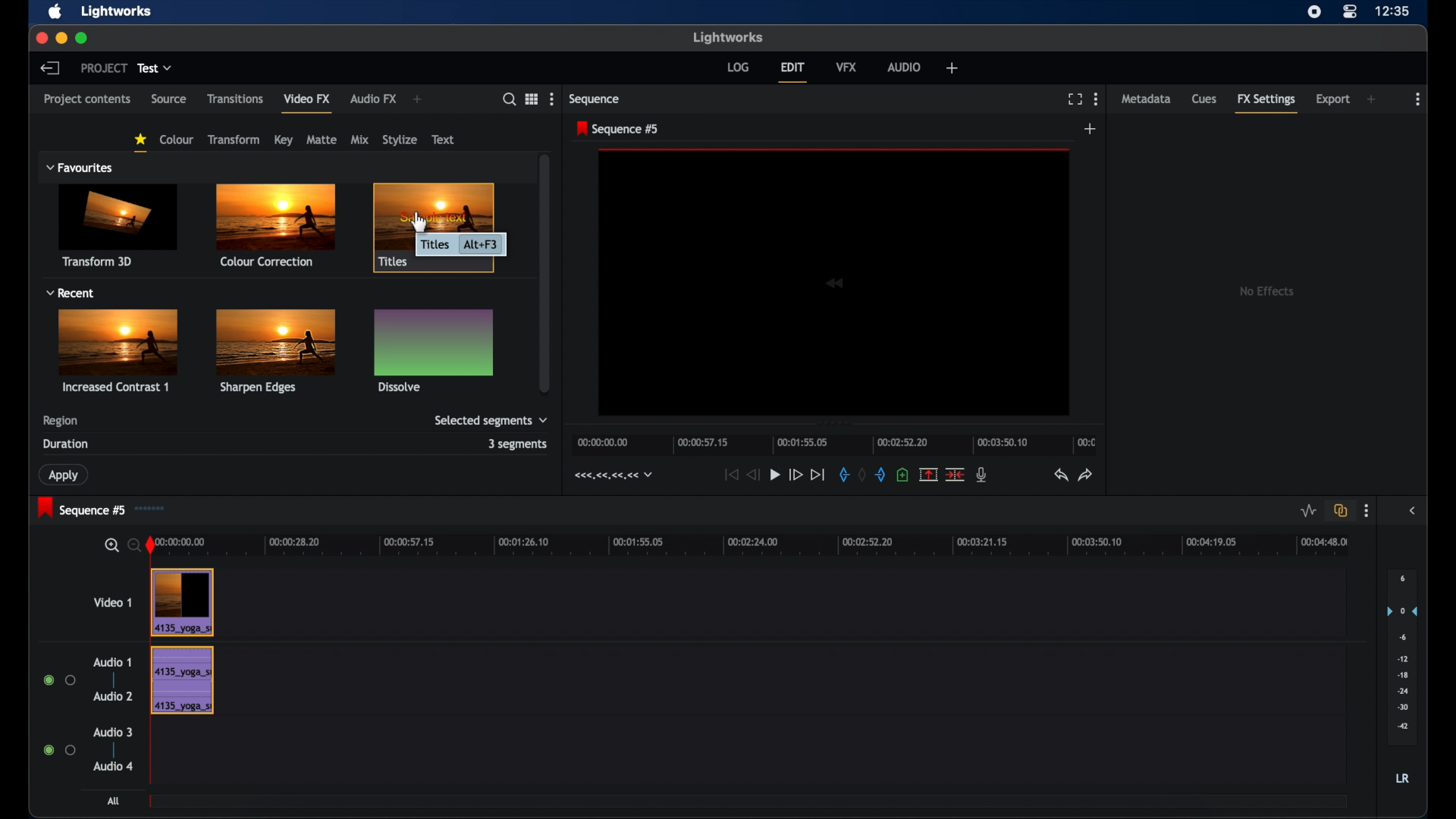 The image size is (1456, 819). What do you see at coordinates (169, 99) in the screenshot?
I see `source` at bounding box center [169, 99].